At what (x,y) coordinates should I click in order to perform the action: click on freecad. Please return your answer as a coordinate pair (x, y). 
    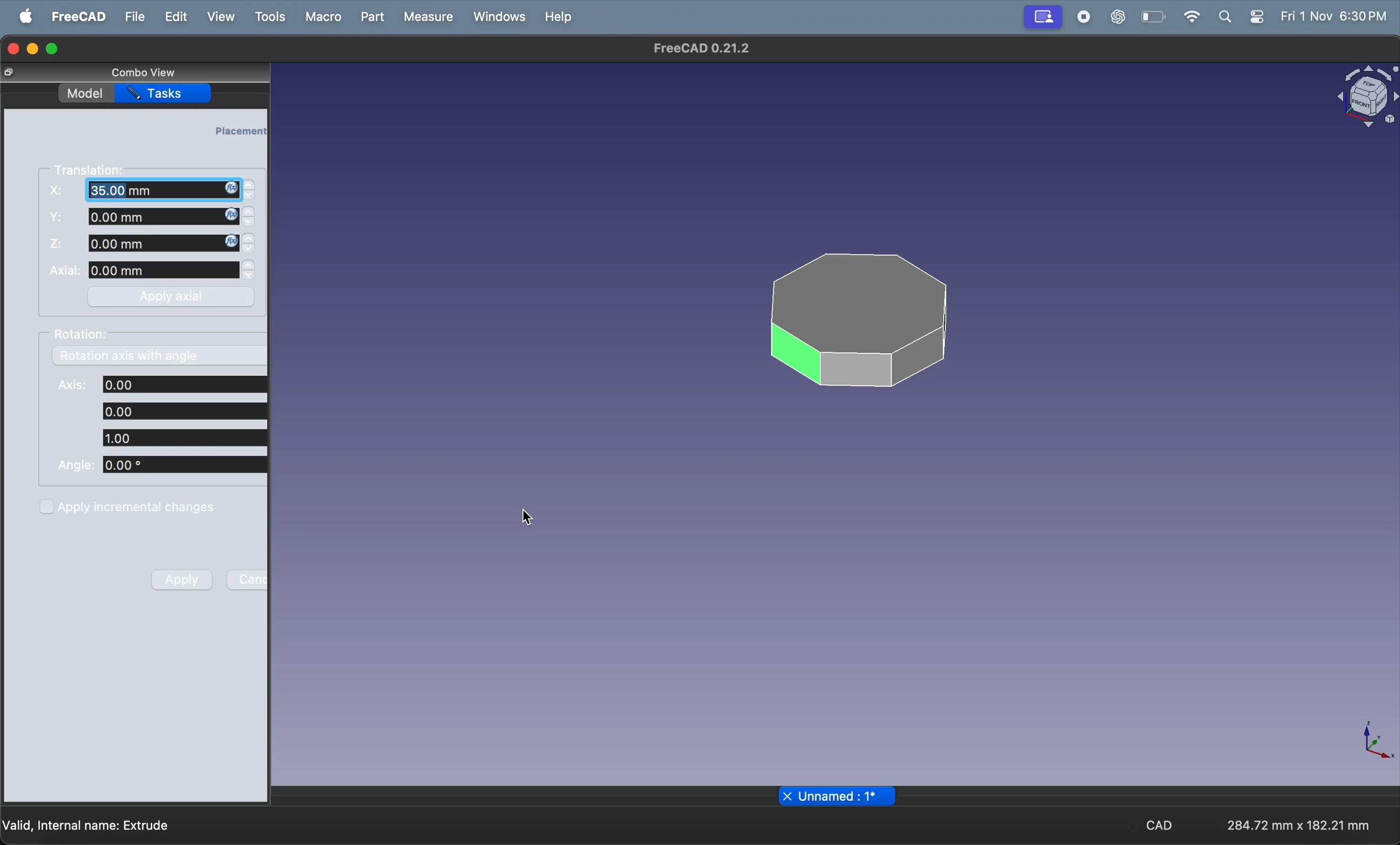
    Looking at the image, I should click on (77, 16).